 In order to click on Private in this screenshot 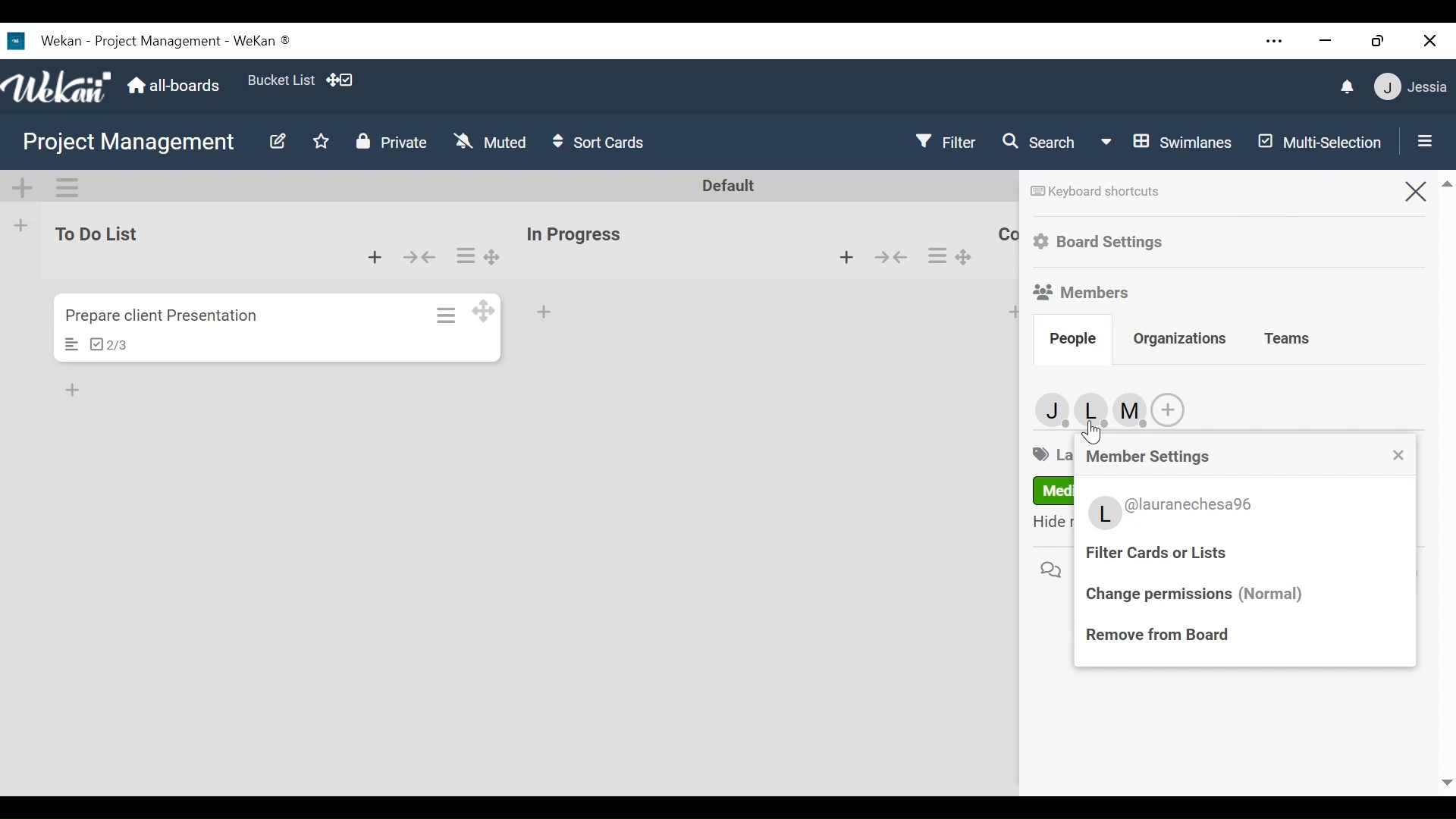, I will do `click(391, 142)`.